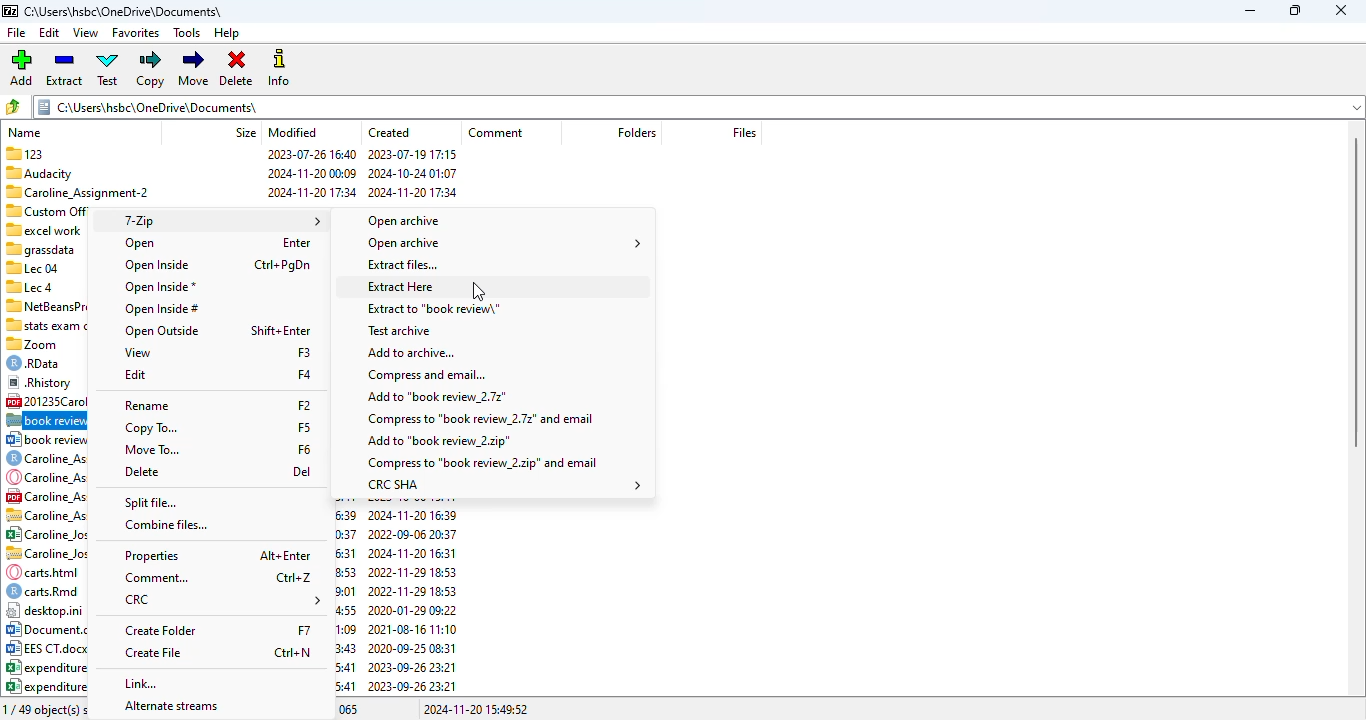  Describe the element at coordinates (149, 502) in the screenshot. I see `split file` at that location.